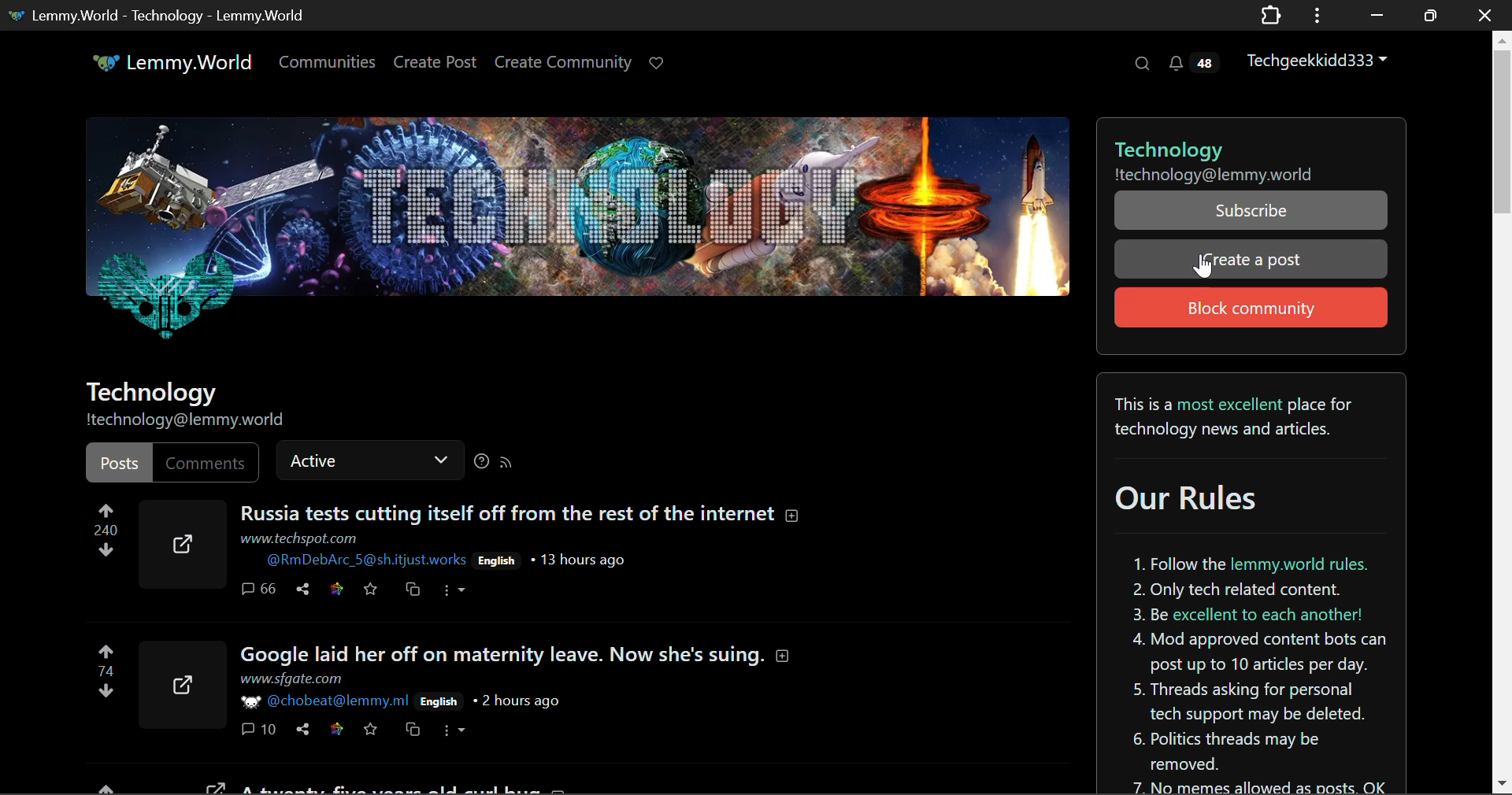 This screenshot has width=1512, height=795. I want to click on Donate to Lemmy, so click(658, 64).